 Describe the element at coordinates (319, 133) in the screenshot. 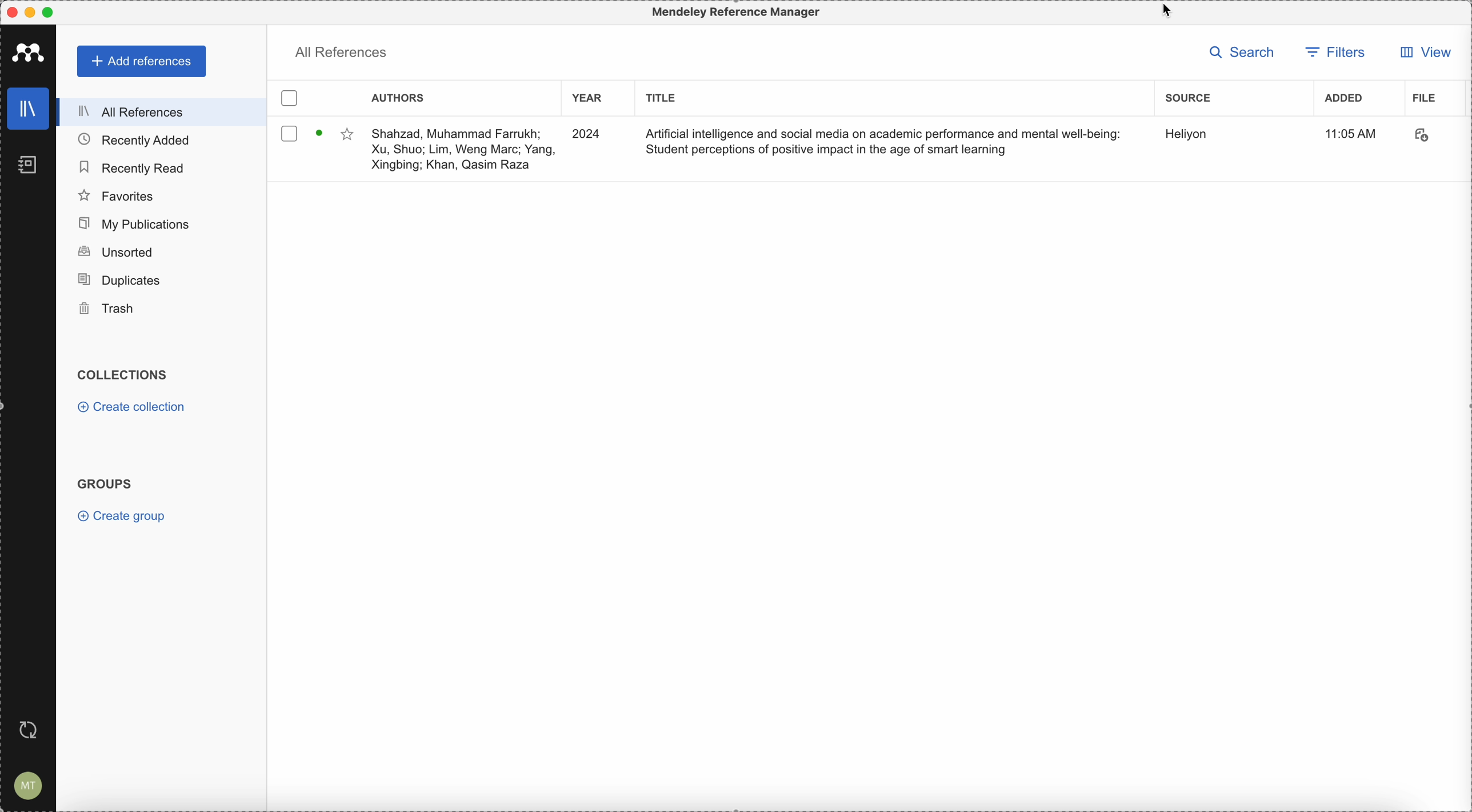

I see `download document` at that location.